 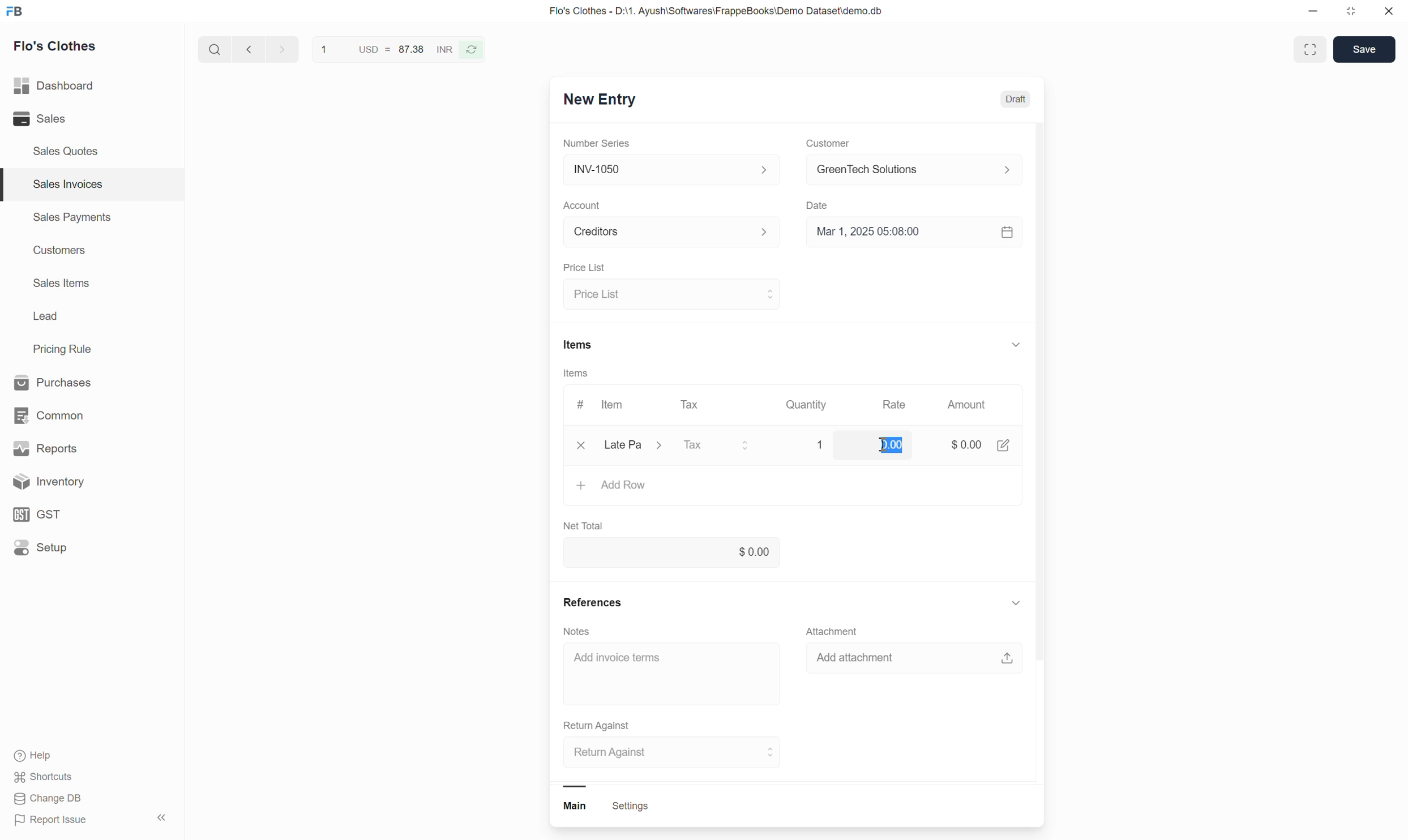 I want to click on References, so click(x=592, y=602).